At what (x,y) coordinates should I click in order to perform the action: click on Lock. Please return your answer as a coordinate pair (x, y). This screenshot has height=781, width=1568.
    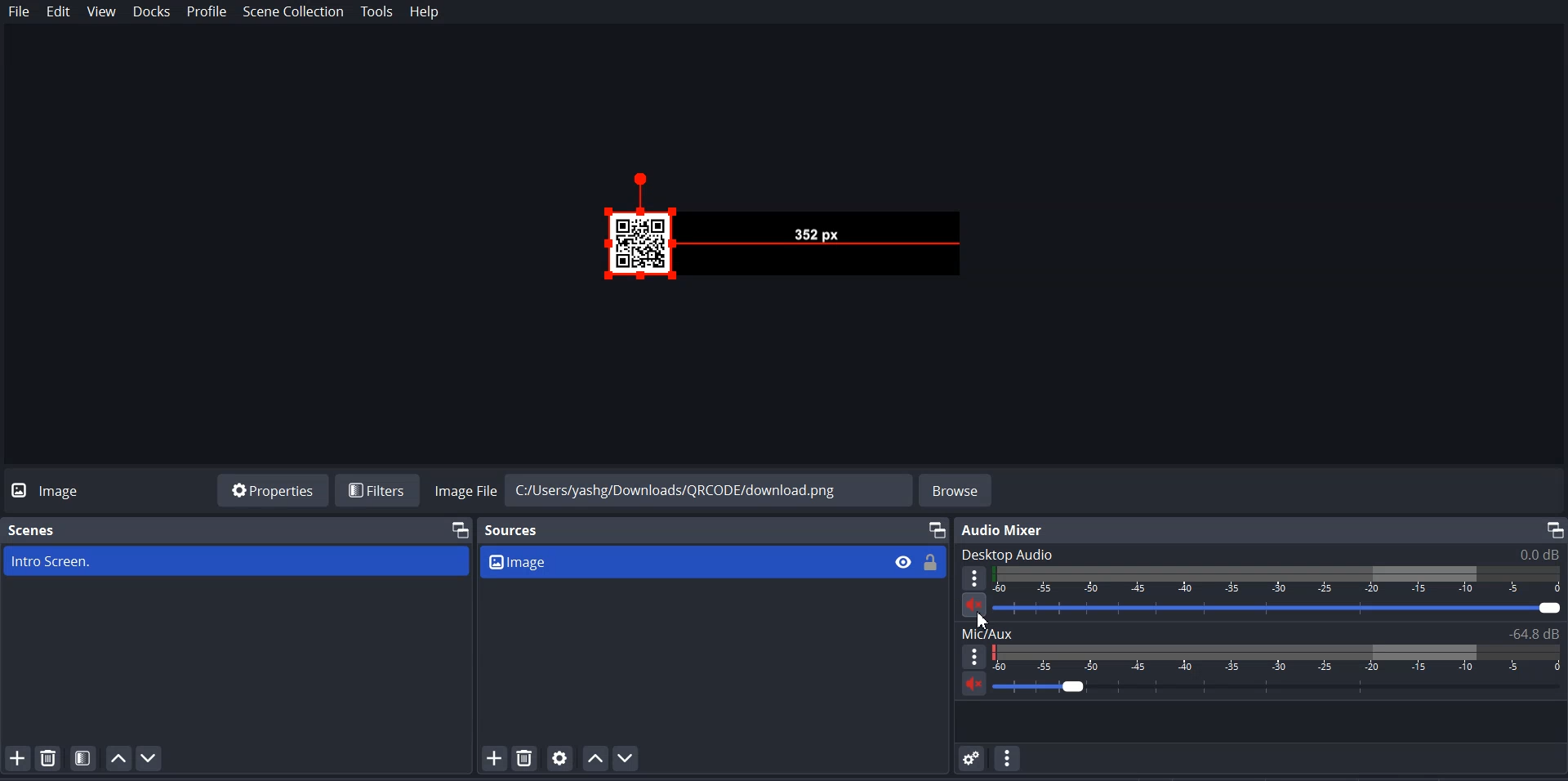
    Looking at the image, I should click on (930, 562).